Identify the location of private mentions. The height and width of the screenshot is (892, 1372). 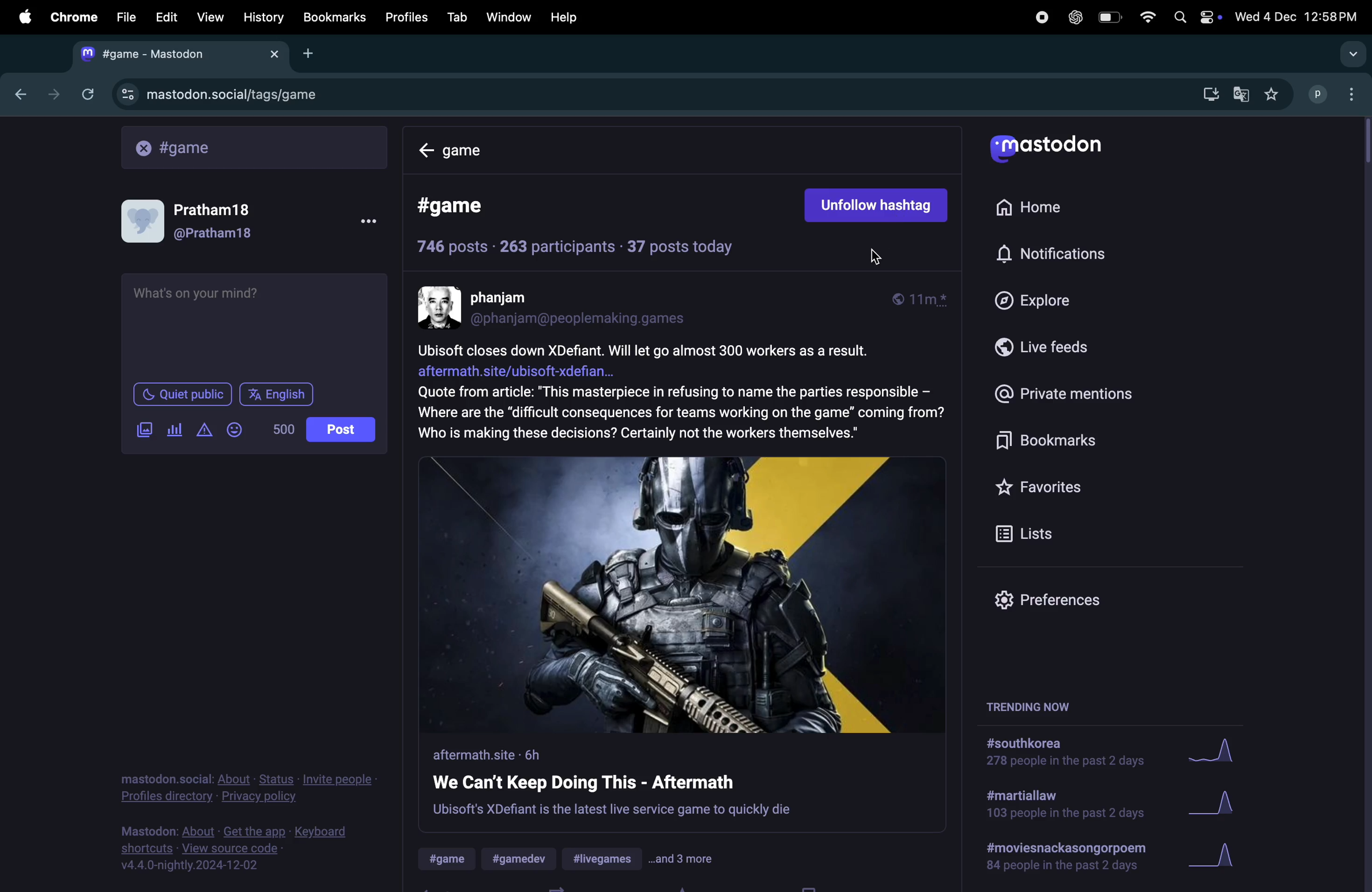
(1081, 393).